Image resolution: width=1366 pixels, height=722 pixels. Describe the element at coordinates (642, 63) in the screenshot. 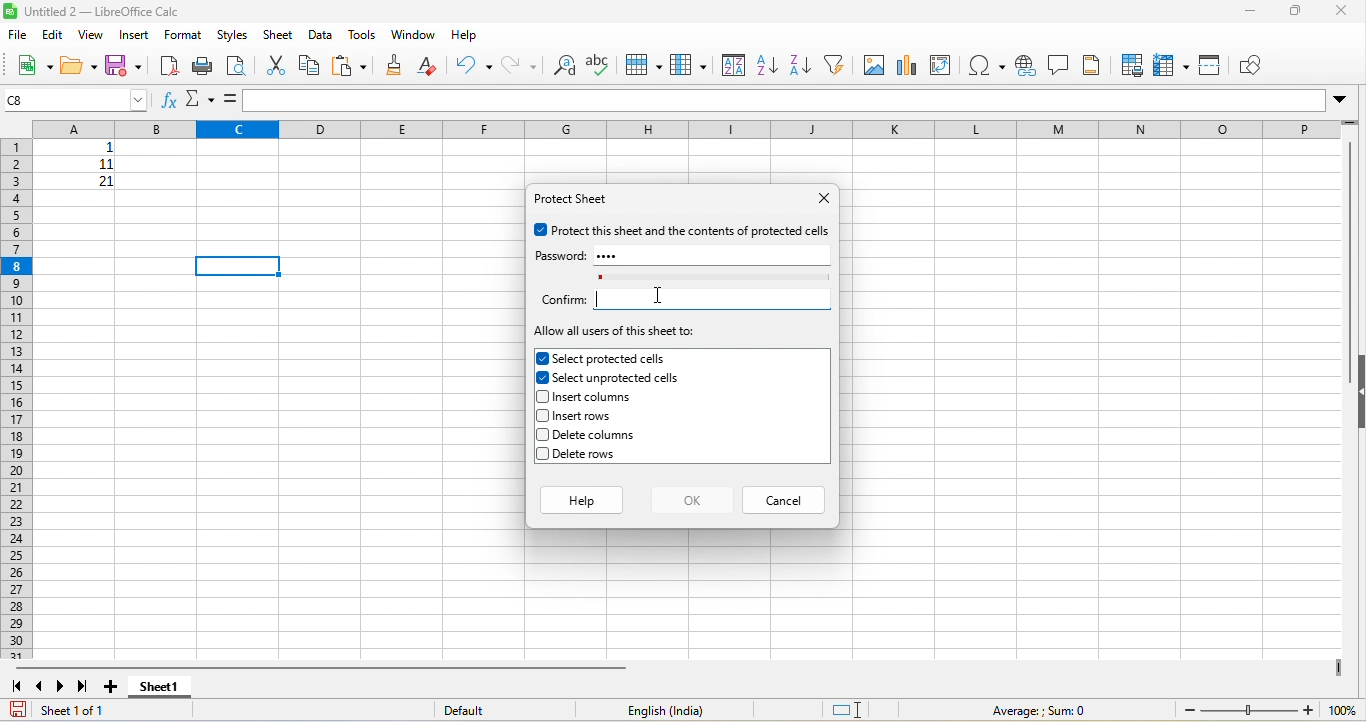

I see `row` at that location.